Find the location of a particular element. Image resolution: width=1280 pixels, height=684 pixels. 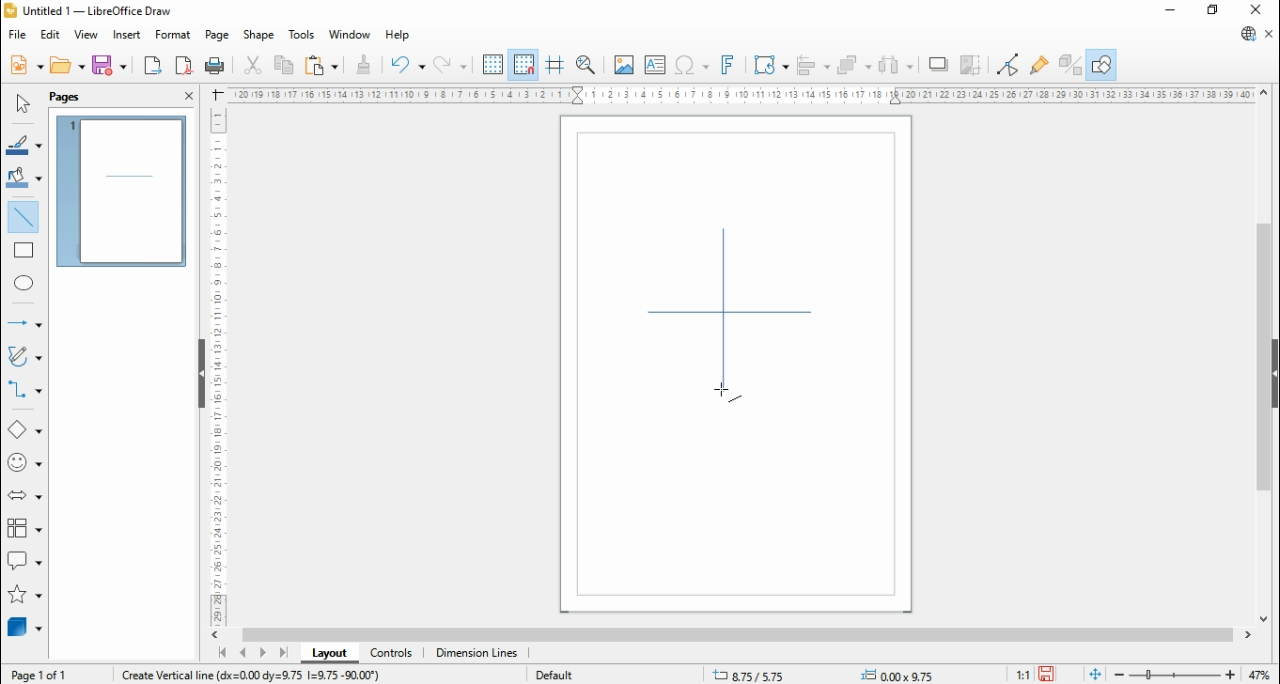

new is located at coordinates (25, 66).